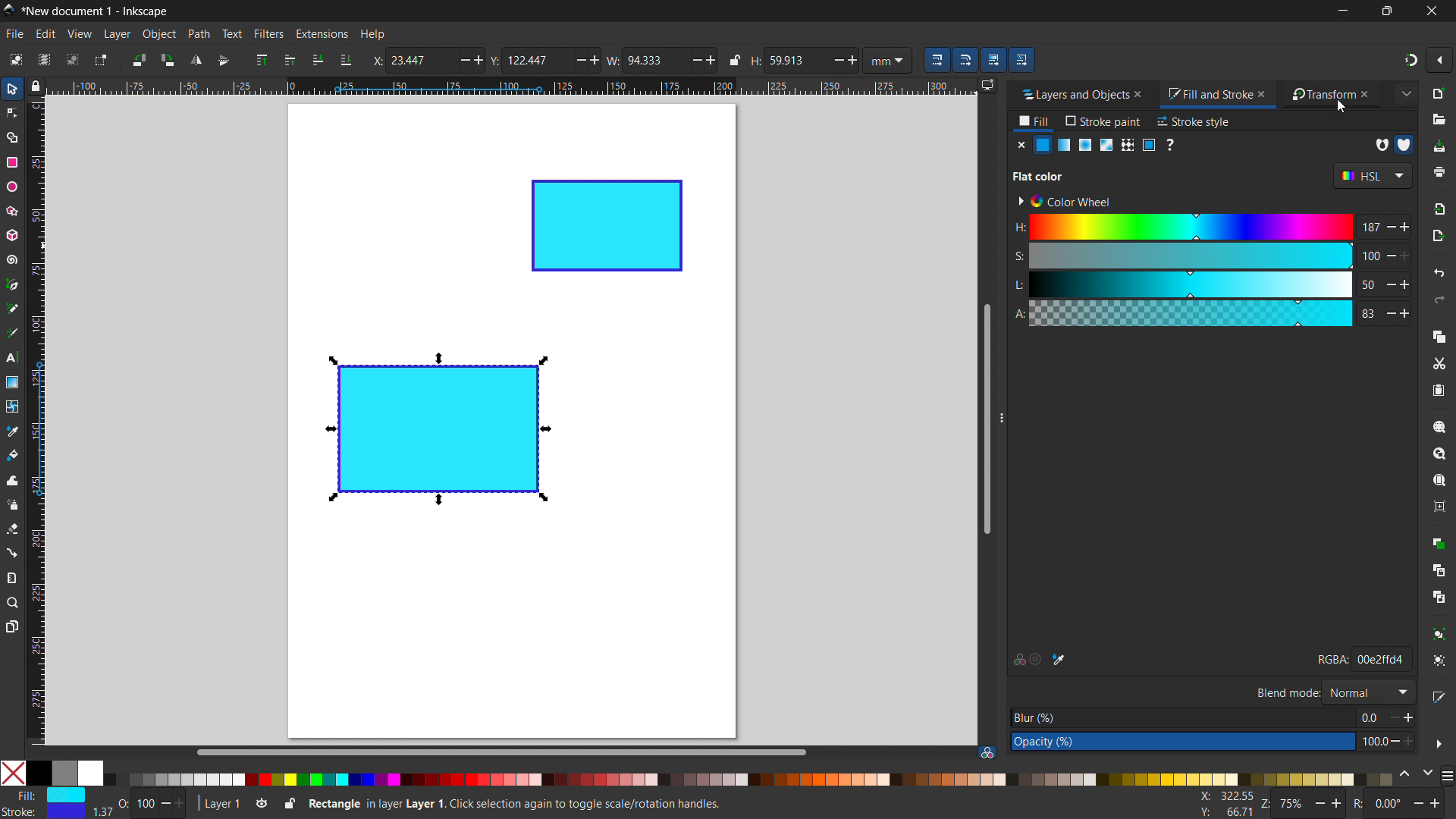 The width and height of the screenshot is (1456, 819). Describe the element at coordinates (117, 34) in the screenshot. I see `layer` at that location.